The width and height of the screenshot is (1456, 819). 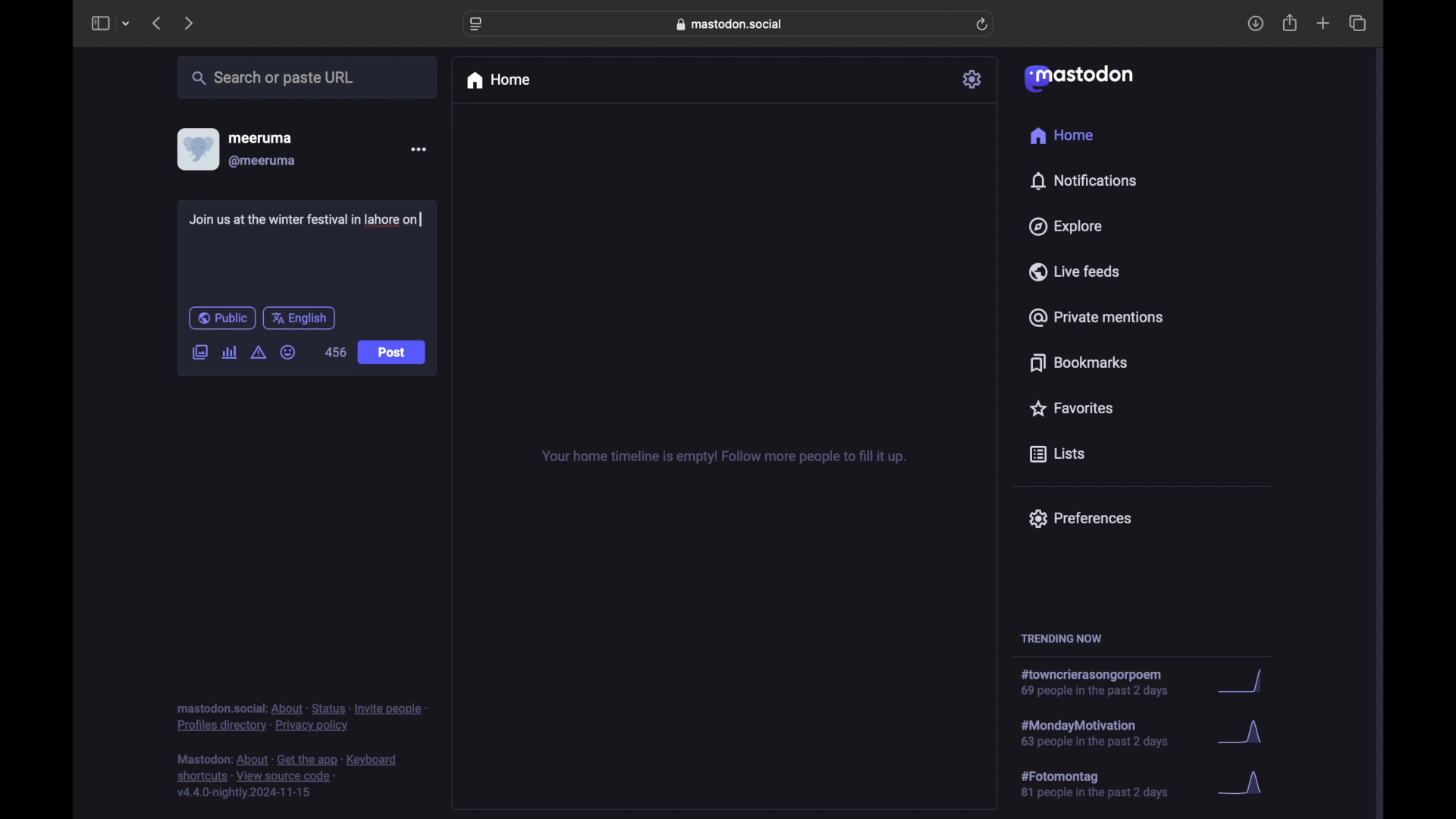 I want to click on next, so click(x=190, y=23).